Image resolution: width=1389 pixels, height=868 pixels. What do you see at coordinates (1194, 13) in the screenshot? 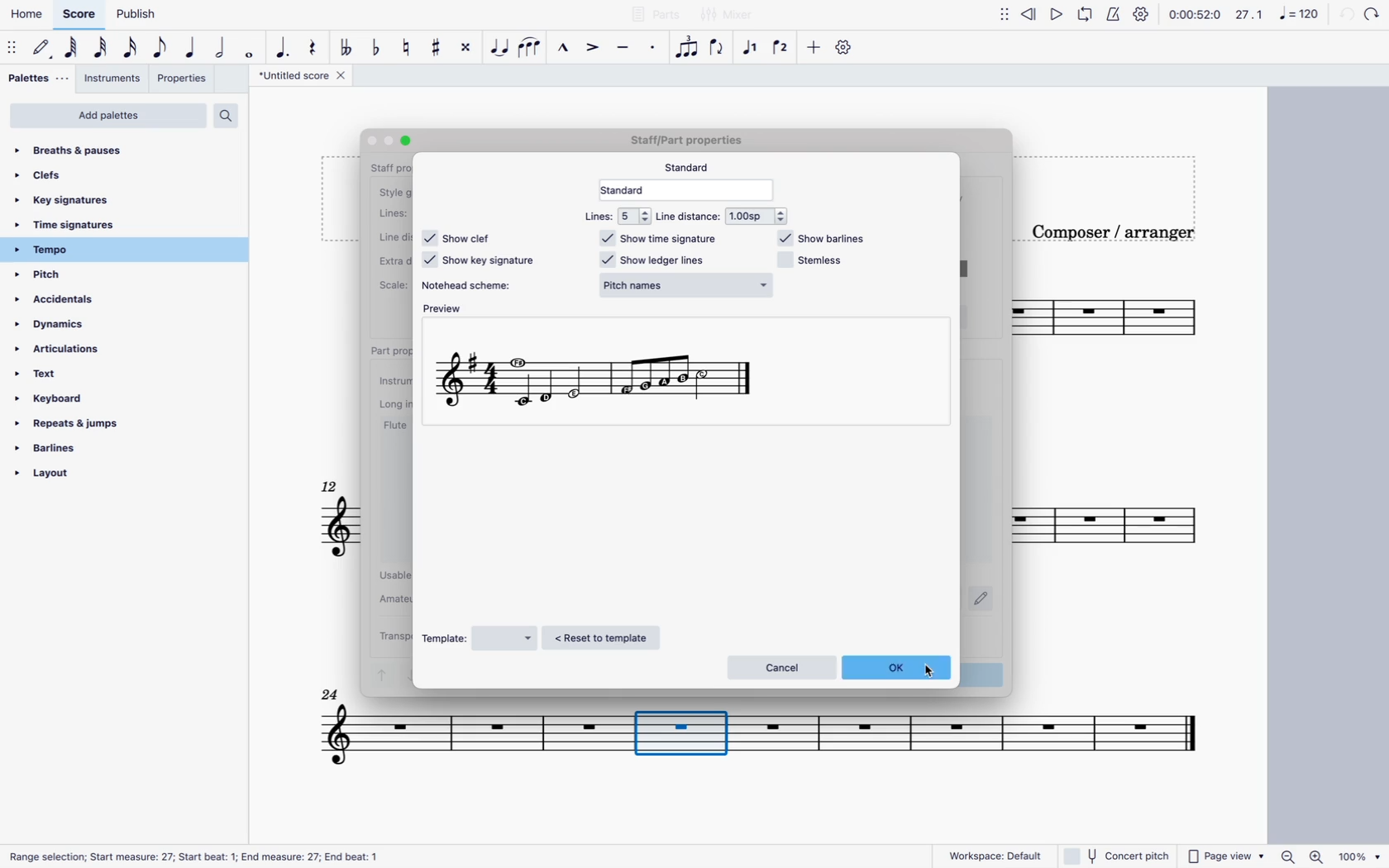
I see `time` at bounding box center [1194, 13].